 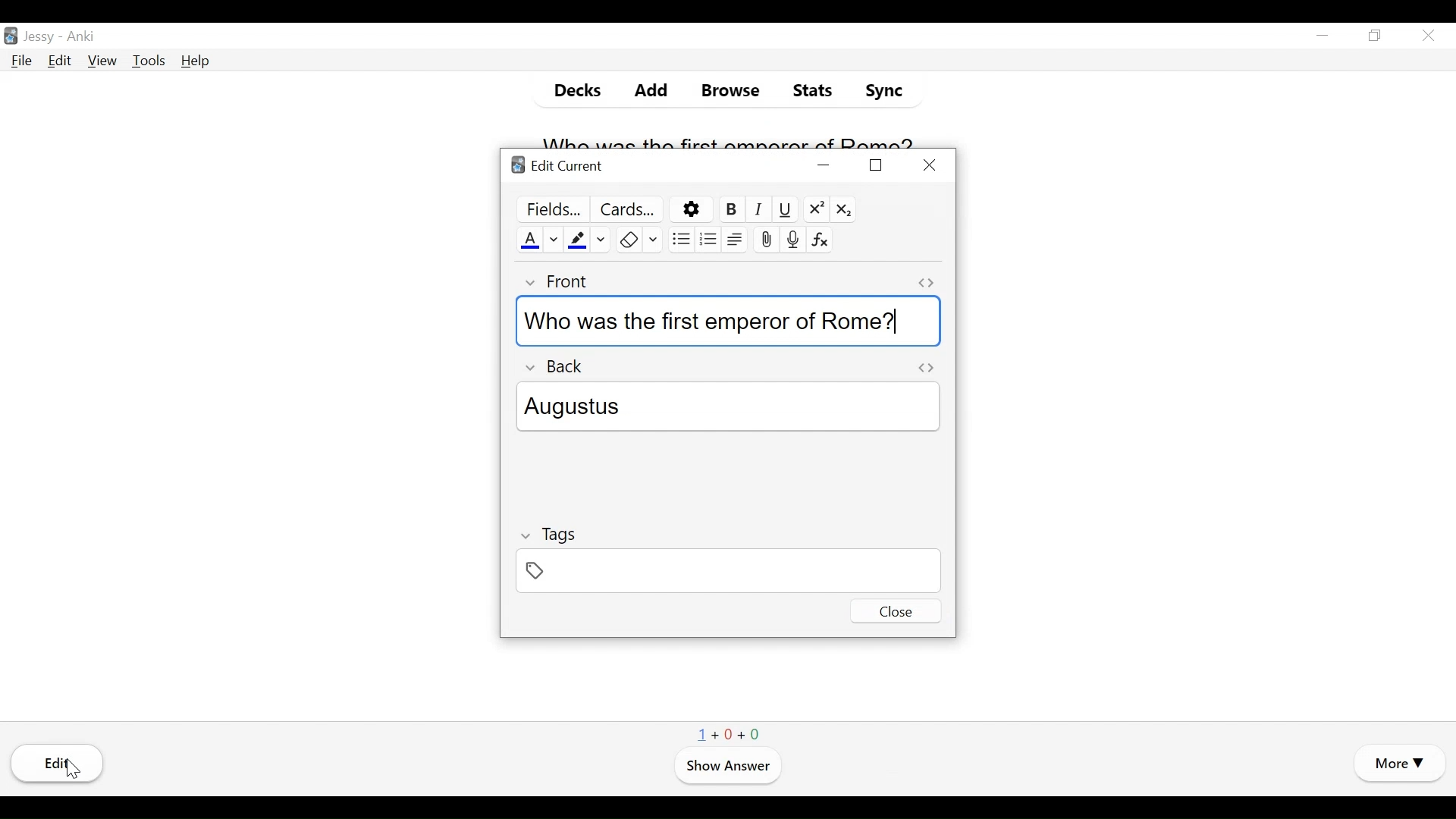 I want to click on Toggle HTML Editor, so click(x=924, y=283).